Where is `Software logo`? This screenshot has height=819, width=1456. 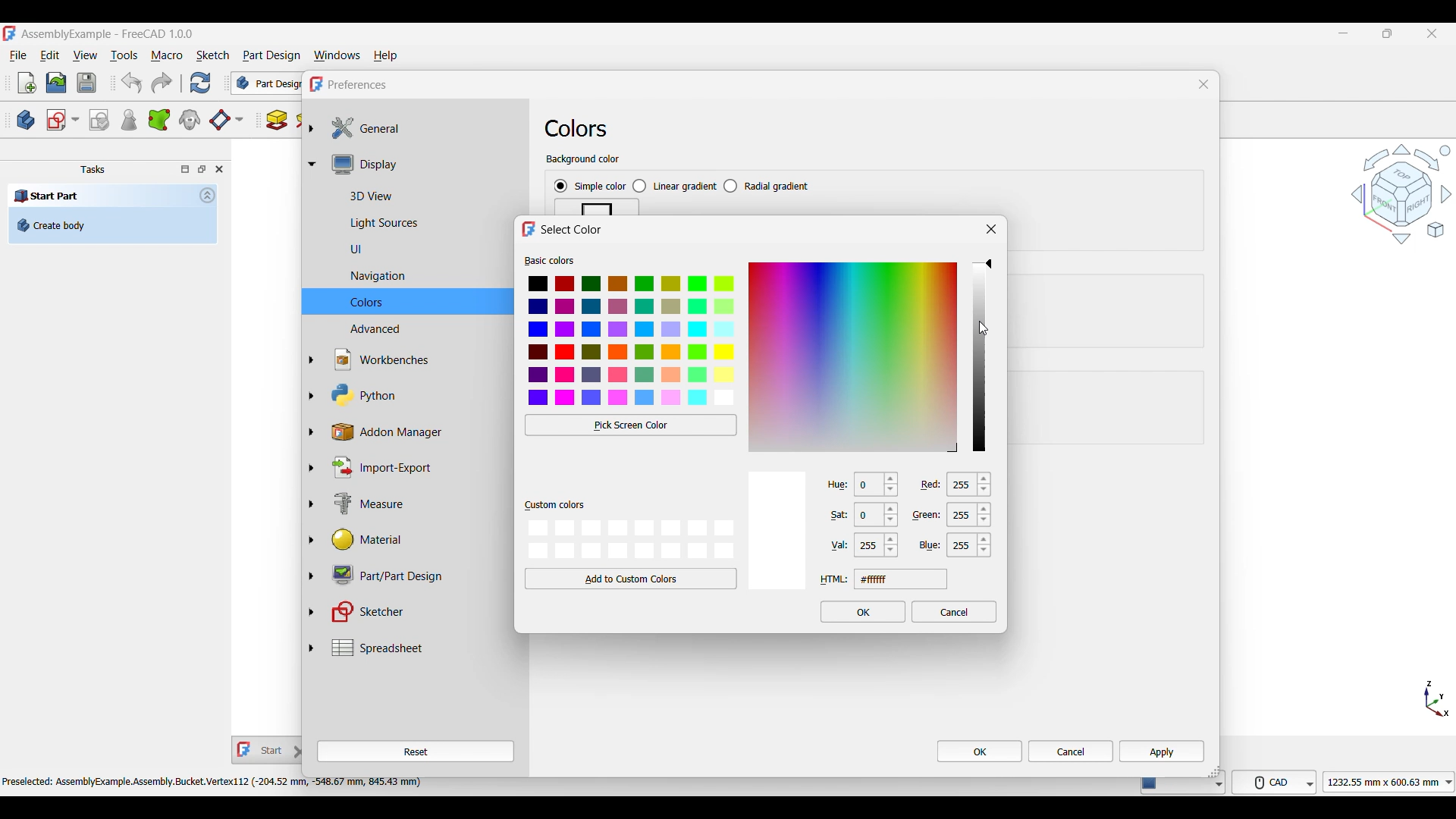 Software logo is located at coordinates (9, 33).